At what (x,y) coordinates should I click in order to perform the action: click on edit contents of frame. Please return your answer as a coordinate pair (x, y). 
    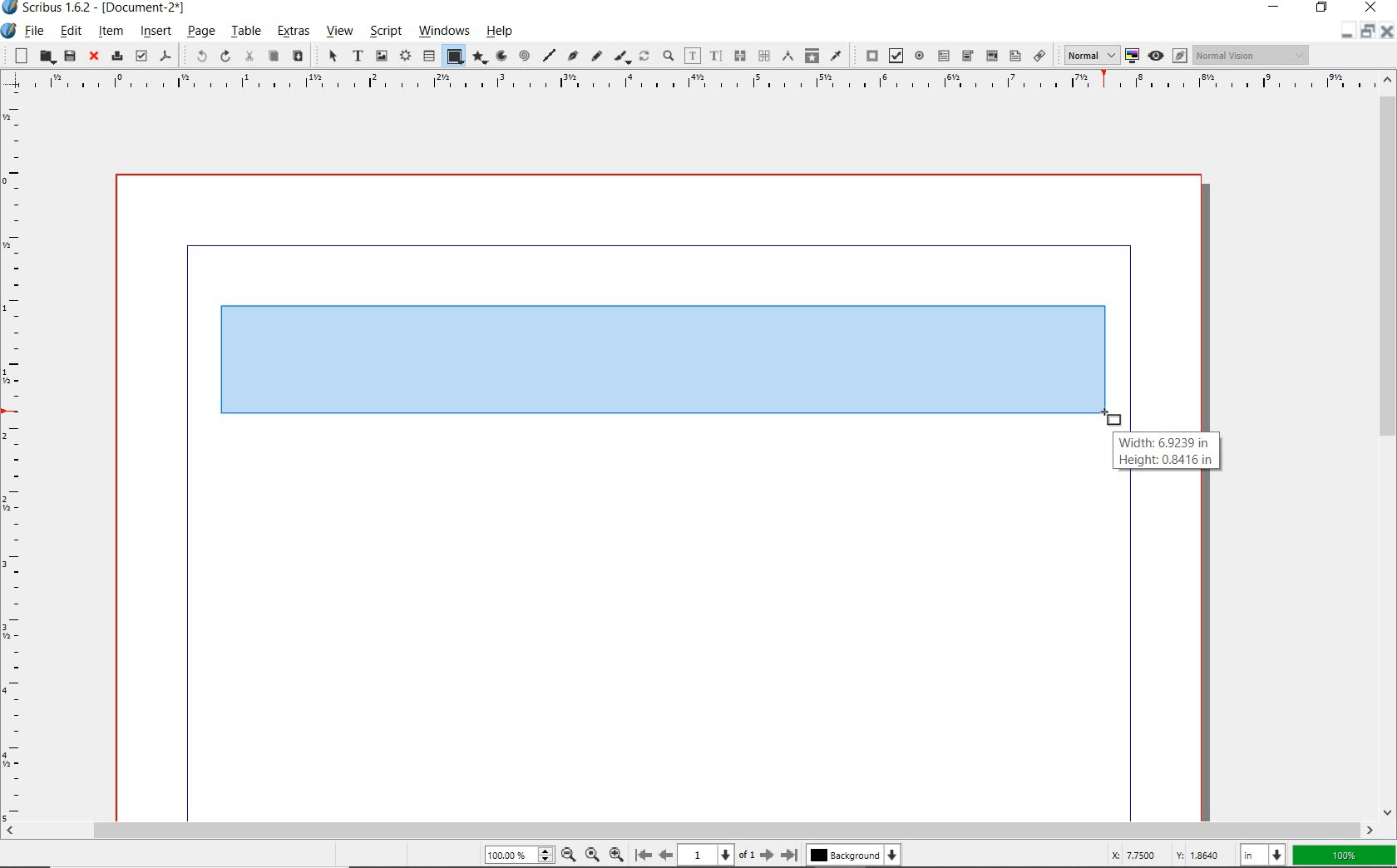
    Looking at the image, I should click on (692, 56).